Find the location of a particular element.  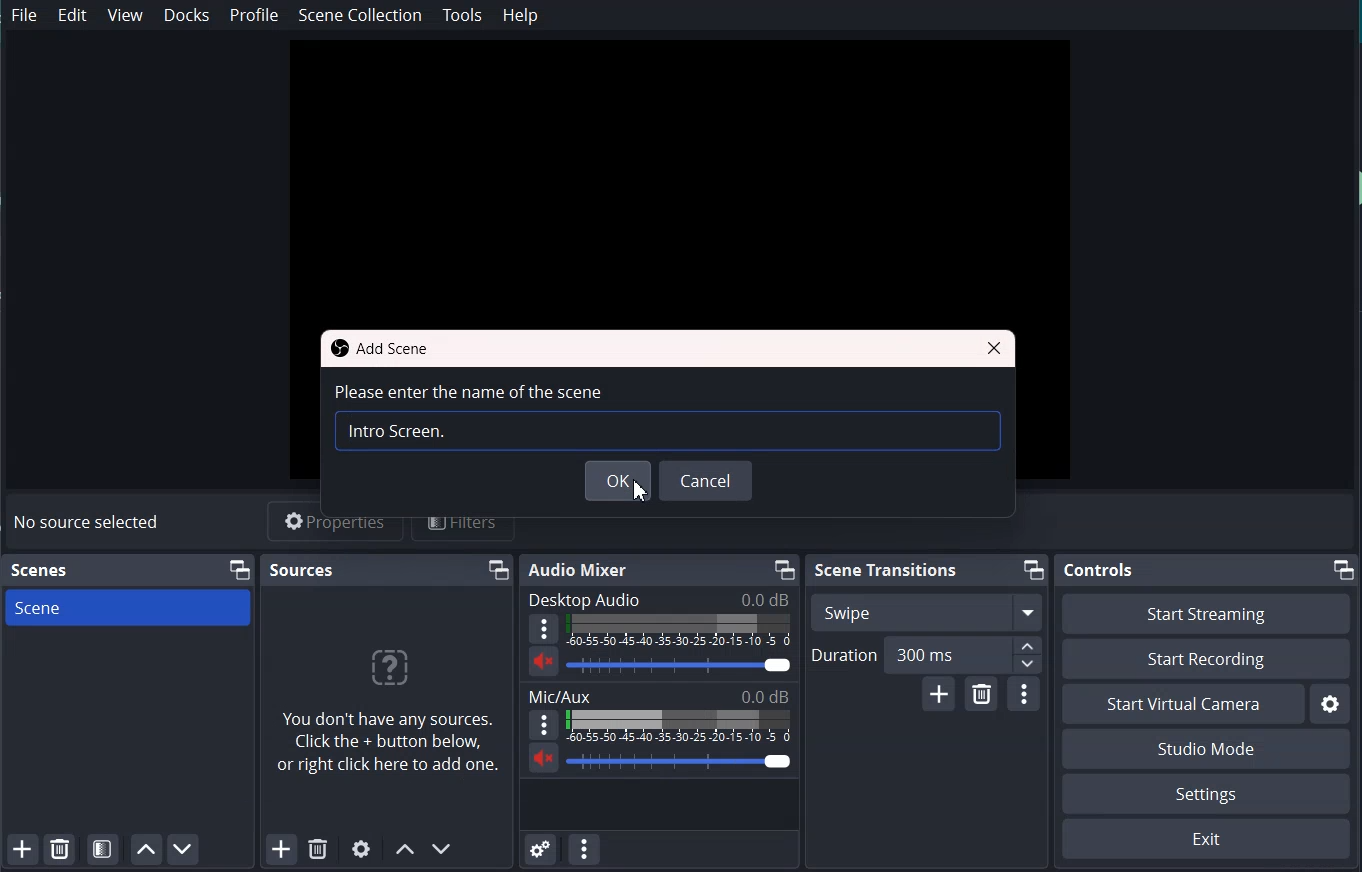

Close is located at coordinates (997, 349).